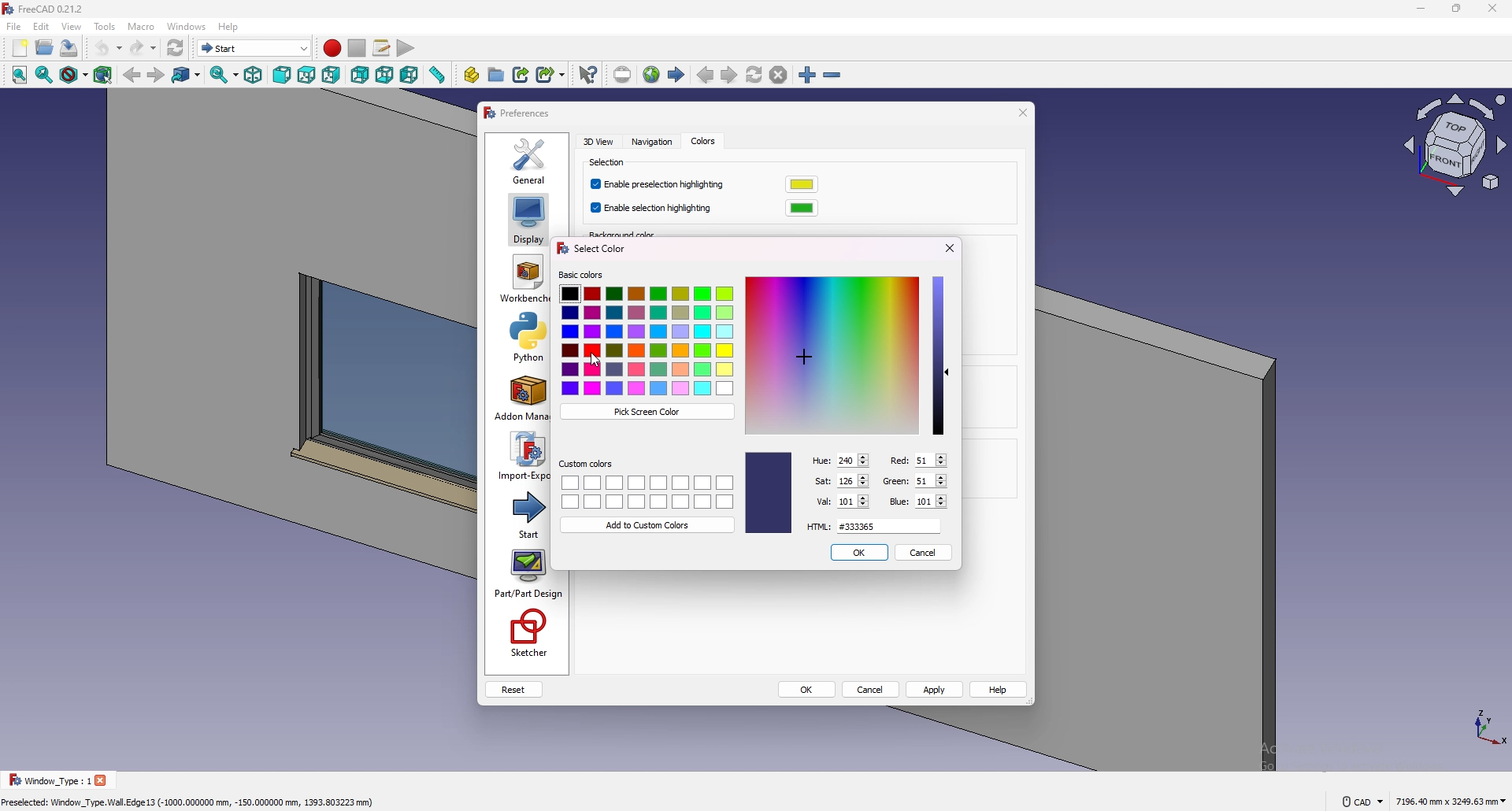  Describe the element at coordinates (1457, 9) in the screenshot. I see `resize` at that location.